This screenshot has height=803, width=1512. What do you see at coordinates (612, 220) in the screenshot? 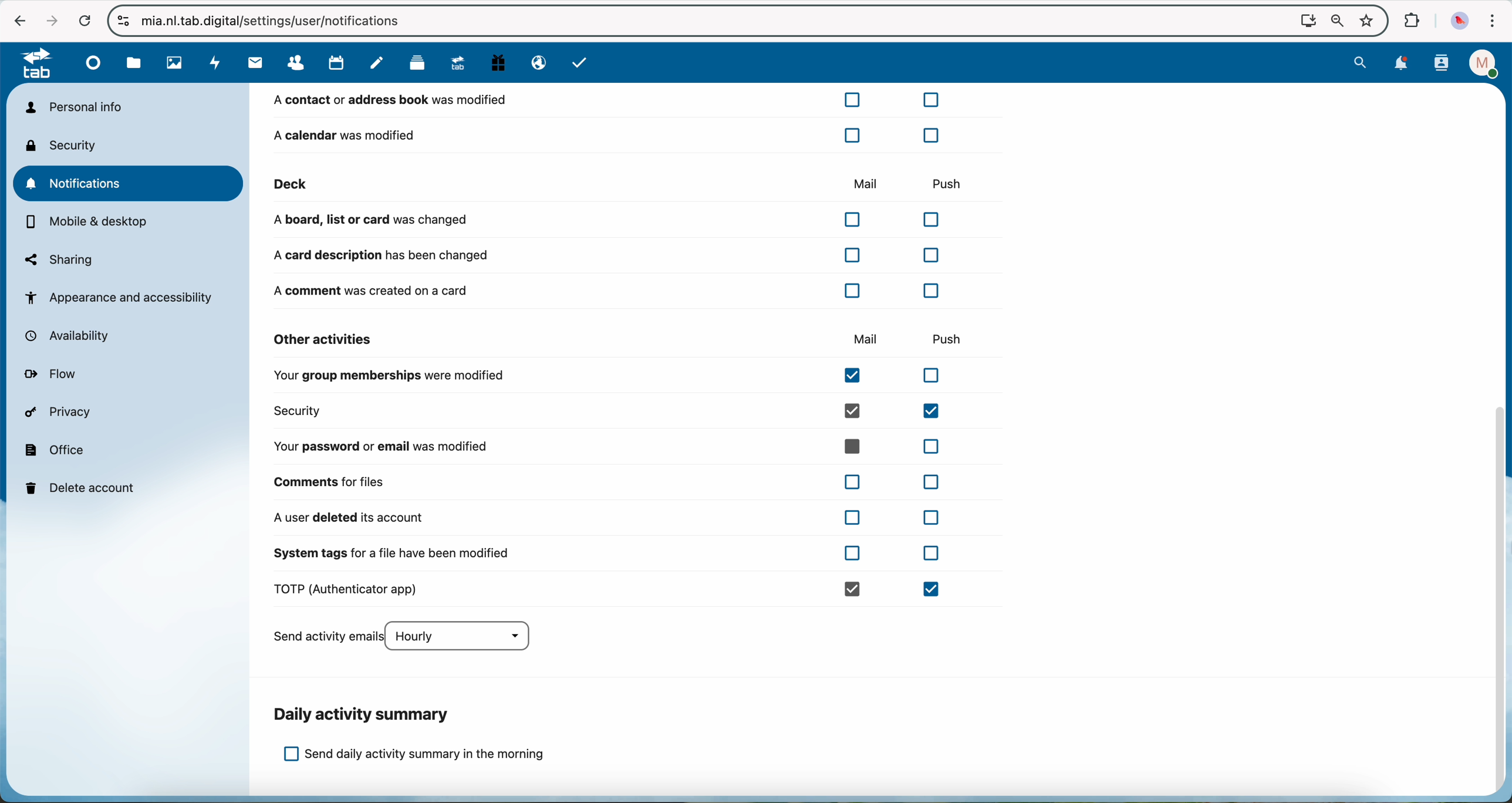
I see `a board, list or card was changed` at bounding box center [612, 220].